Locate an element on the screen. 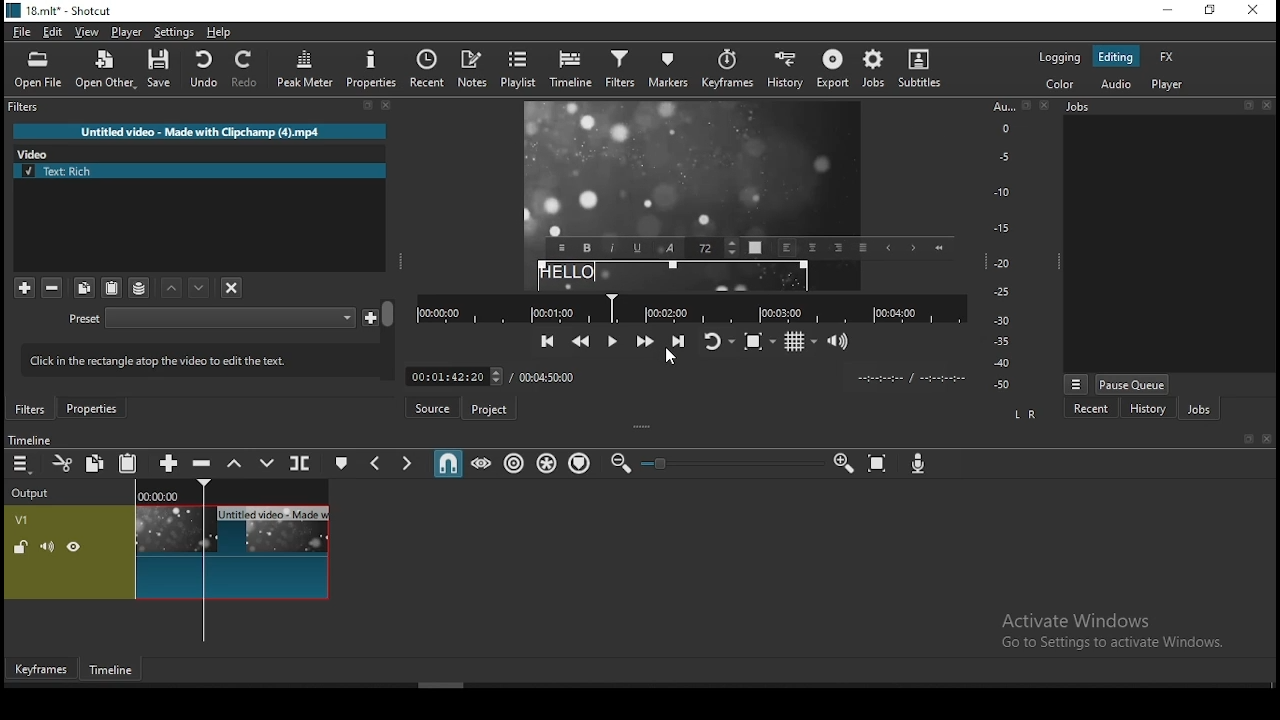 The image size is (1280, 720). lick in the rectangle atop the video to edit the text. is located at coordinates (191, 358).